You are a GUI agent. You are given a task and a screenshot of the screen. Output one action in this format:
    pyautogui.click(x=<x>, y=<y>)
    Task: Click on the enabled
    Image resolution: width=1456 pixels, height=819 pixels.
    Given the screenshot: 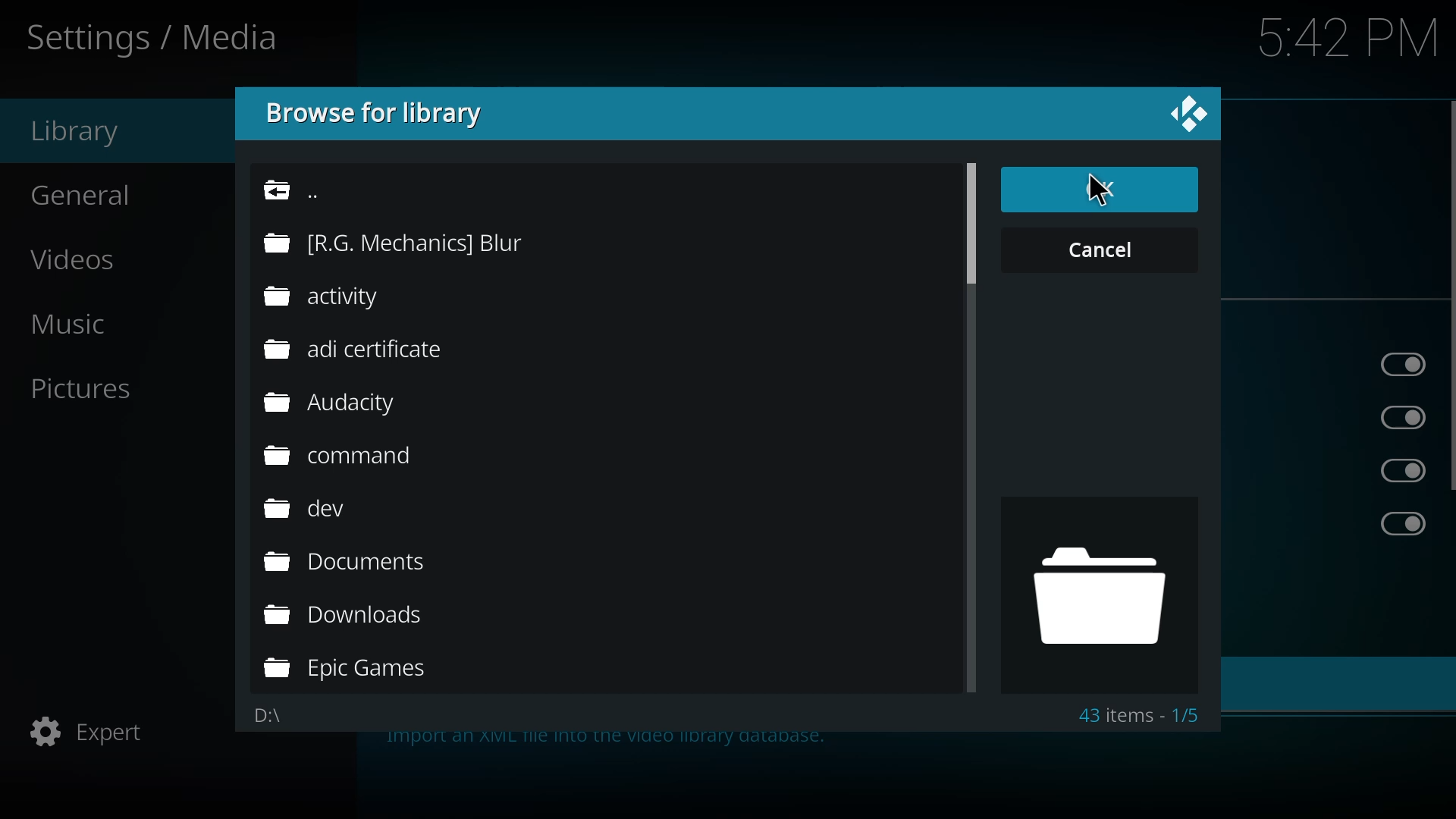 What is the action you would take?
    pyautogui.click(x=1408, y=471)
    